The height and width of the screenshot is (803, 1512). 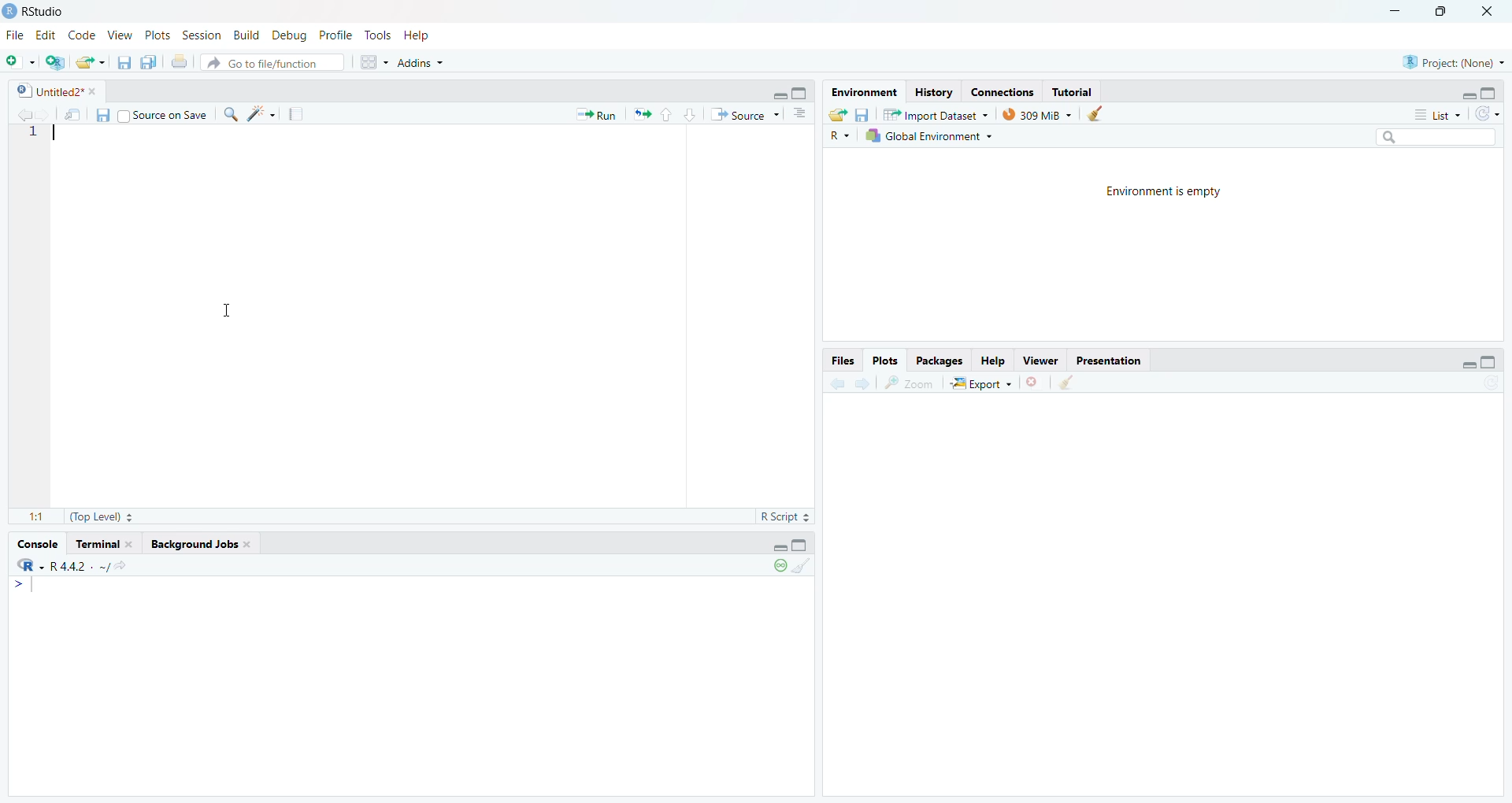 I want to click on Debug, so click(x=287, y=38).